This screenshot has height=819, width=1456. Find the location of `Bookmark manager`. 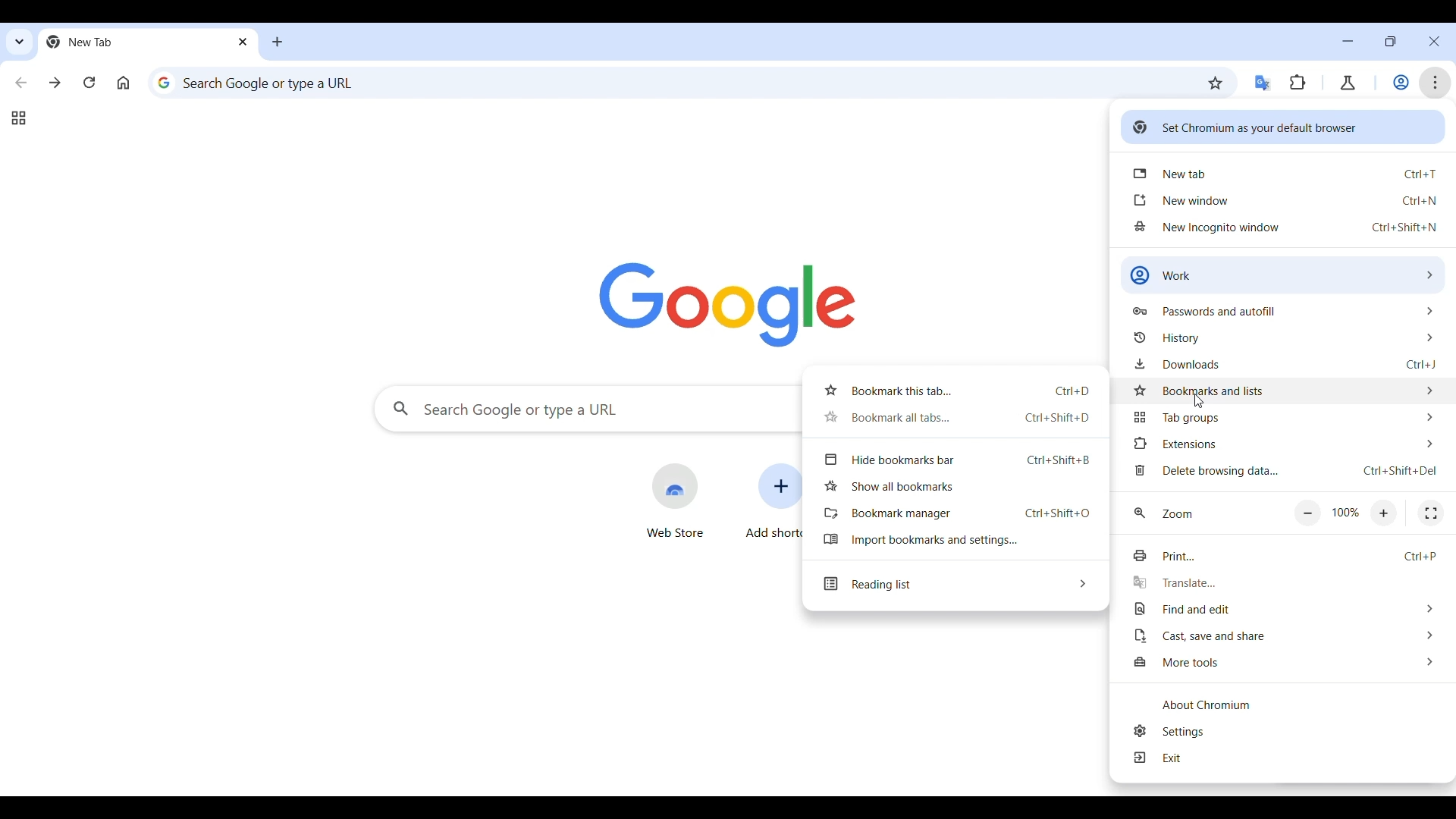

Bookmark manager is located at coordinates (953, 513).